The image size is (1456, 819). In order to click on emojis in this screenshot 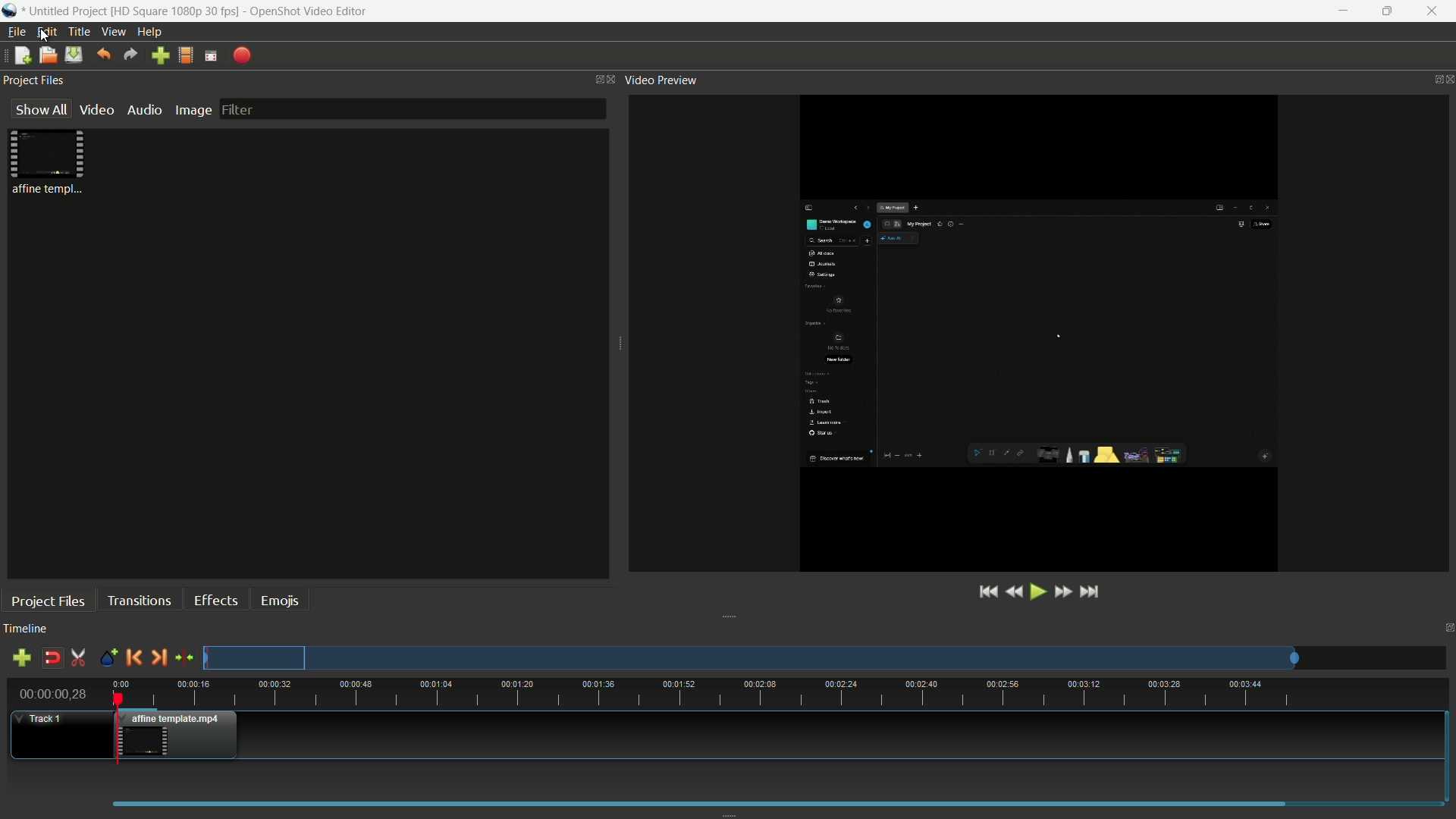, I will do `click(281, 599)`.